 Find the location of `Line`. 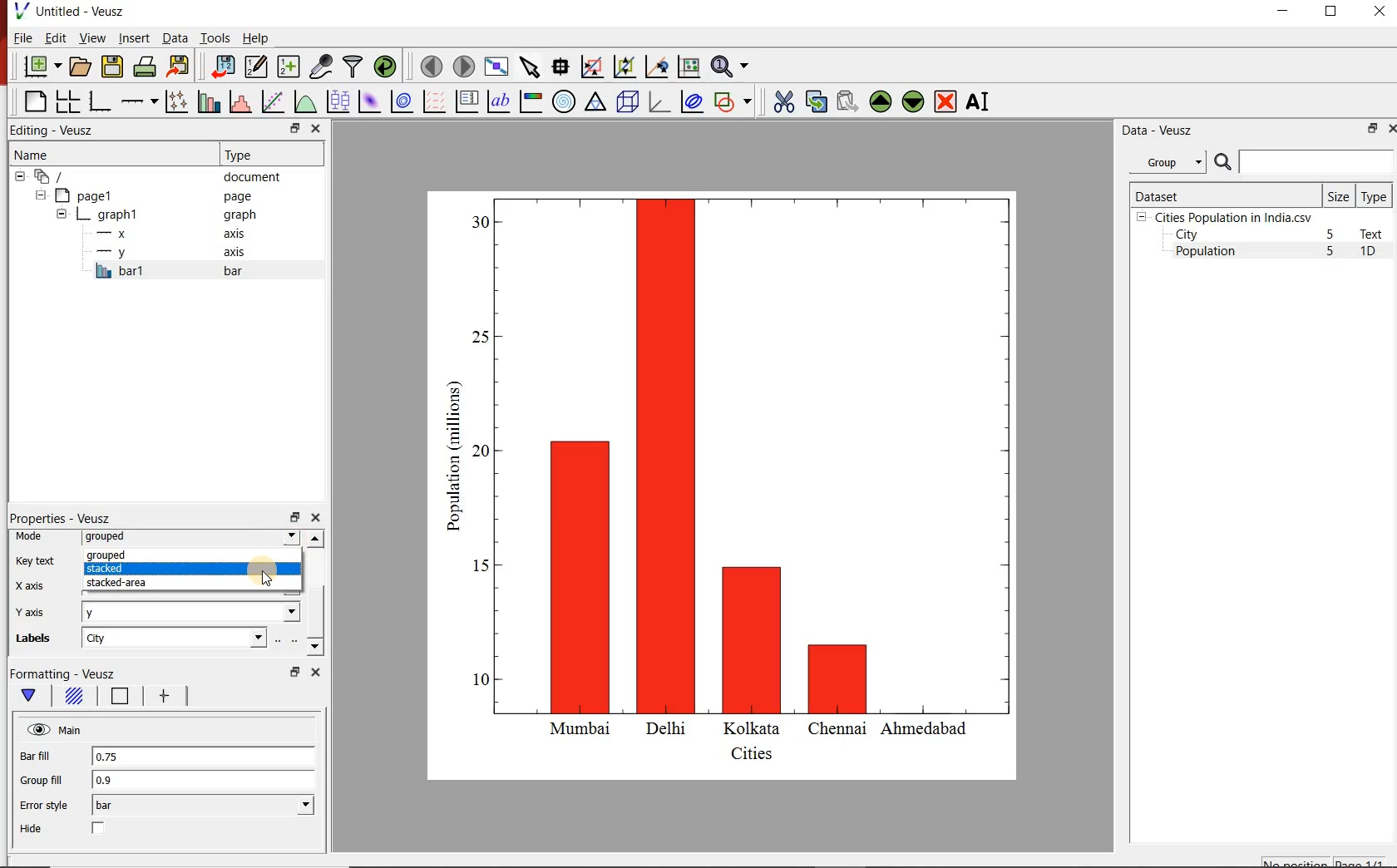

Line is located at coordinates (116, 698).